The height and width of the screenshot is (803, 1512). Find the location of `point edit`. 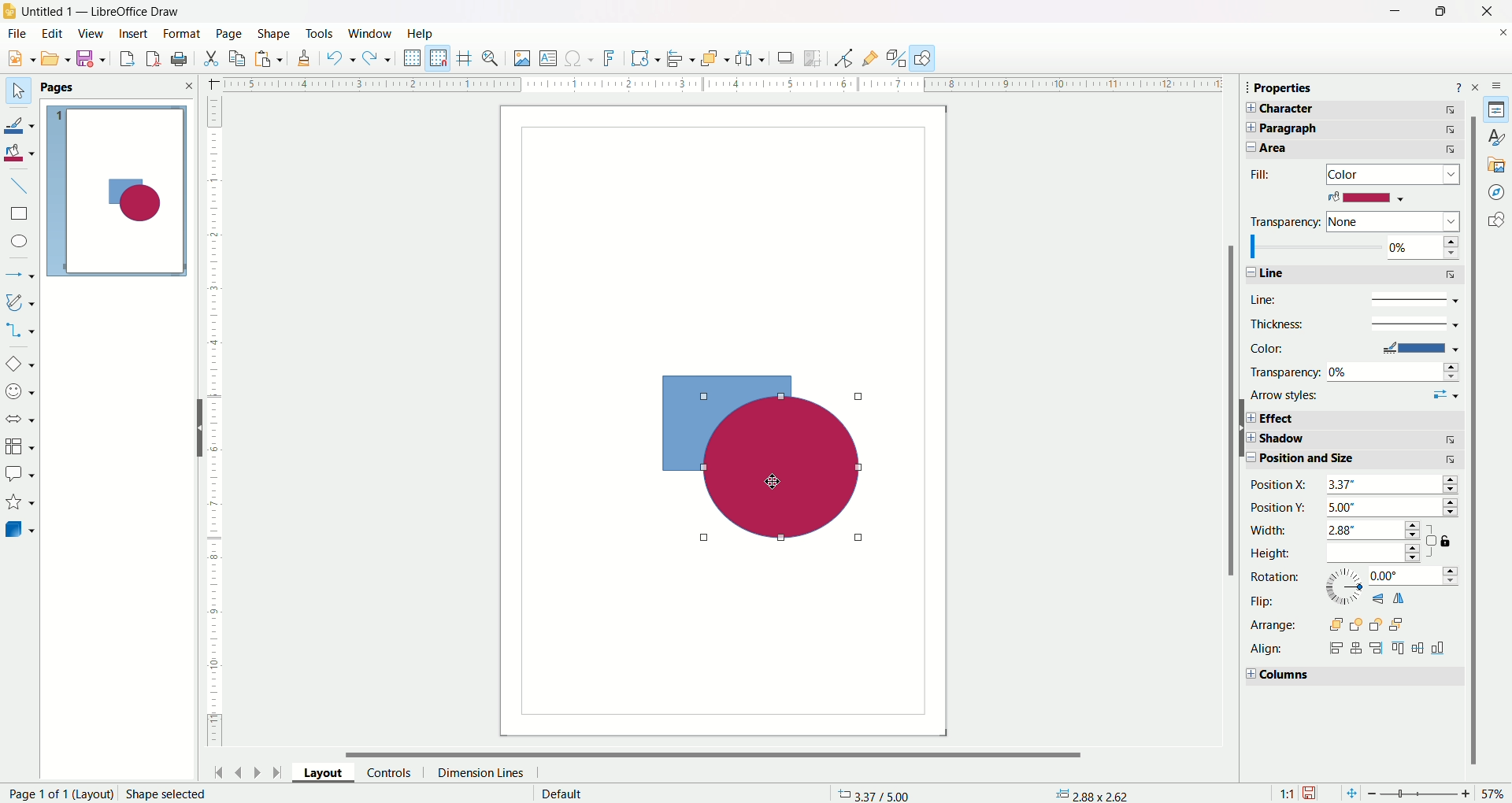

point edit is located at coordinates (839, 57).